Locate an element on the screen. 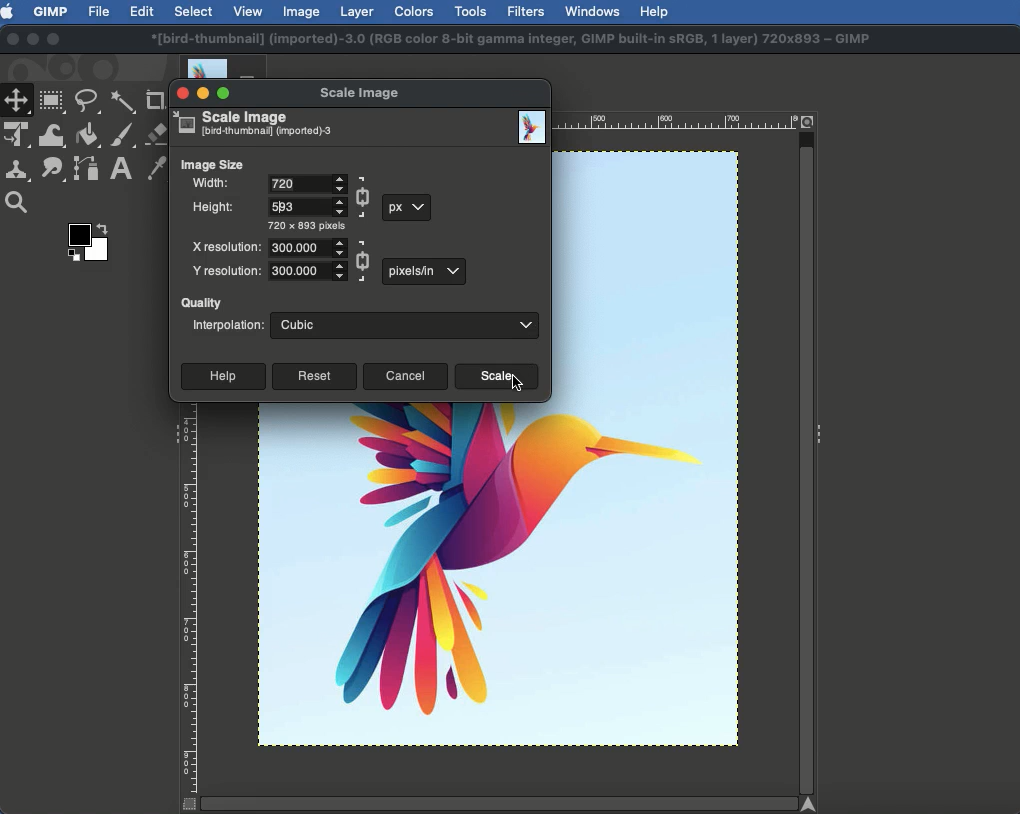 Image resolution: width=1020 pixels, height=814 pixels. GIMP is located at coordinates (50, 12).